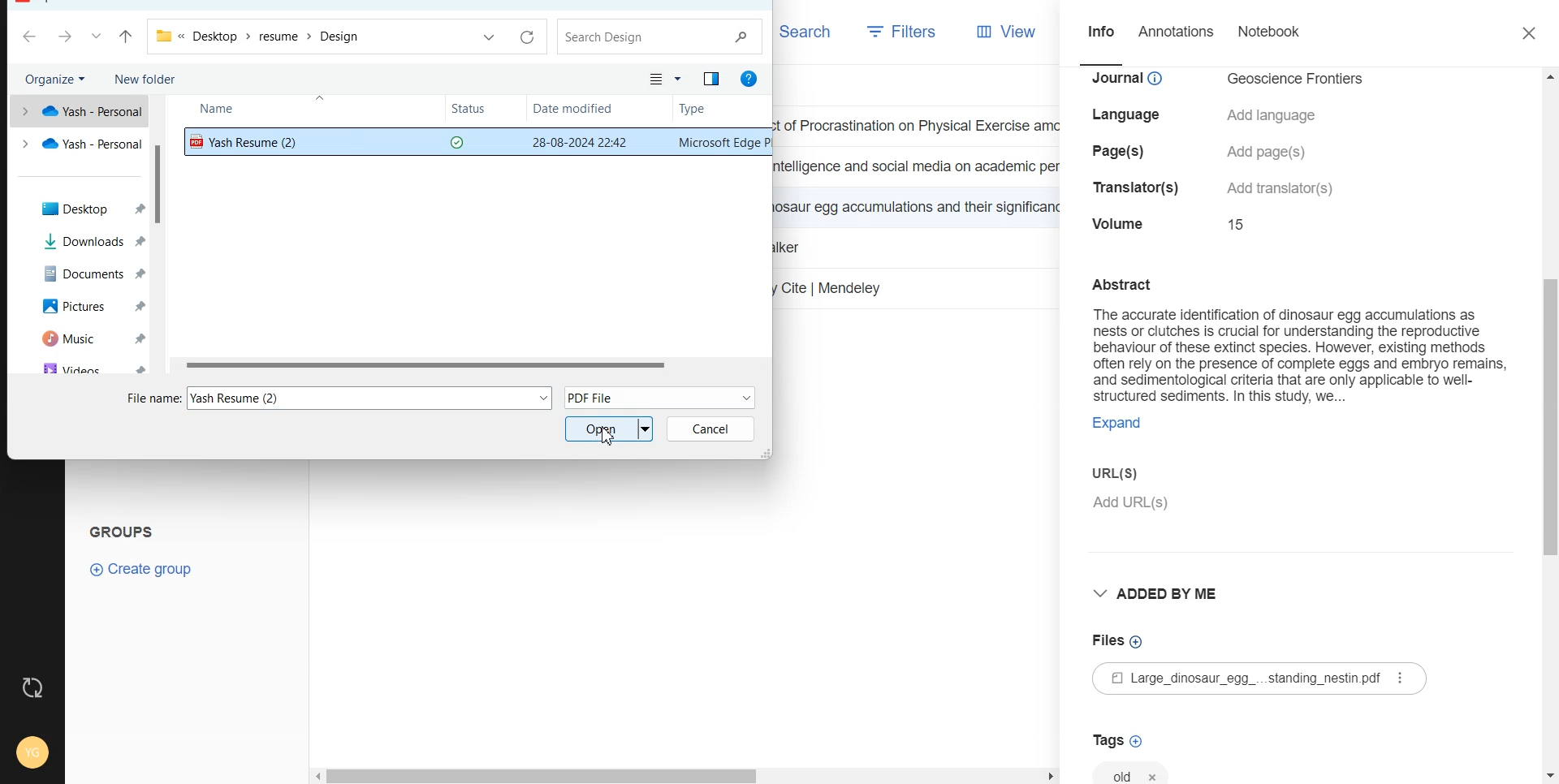 Image resolution: width=1559 pixels, height=784 pixels. I want to click on details, so click(1273, 116).